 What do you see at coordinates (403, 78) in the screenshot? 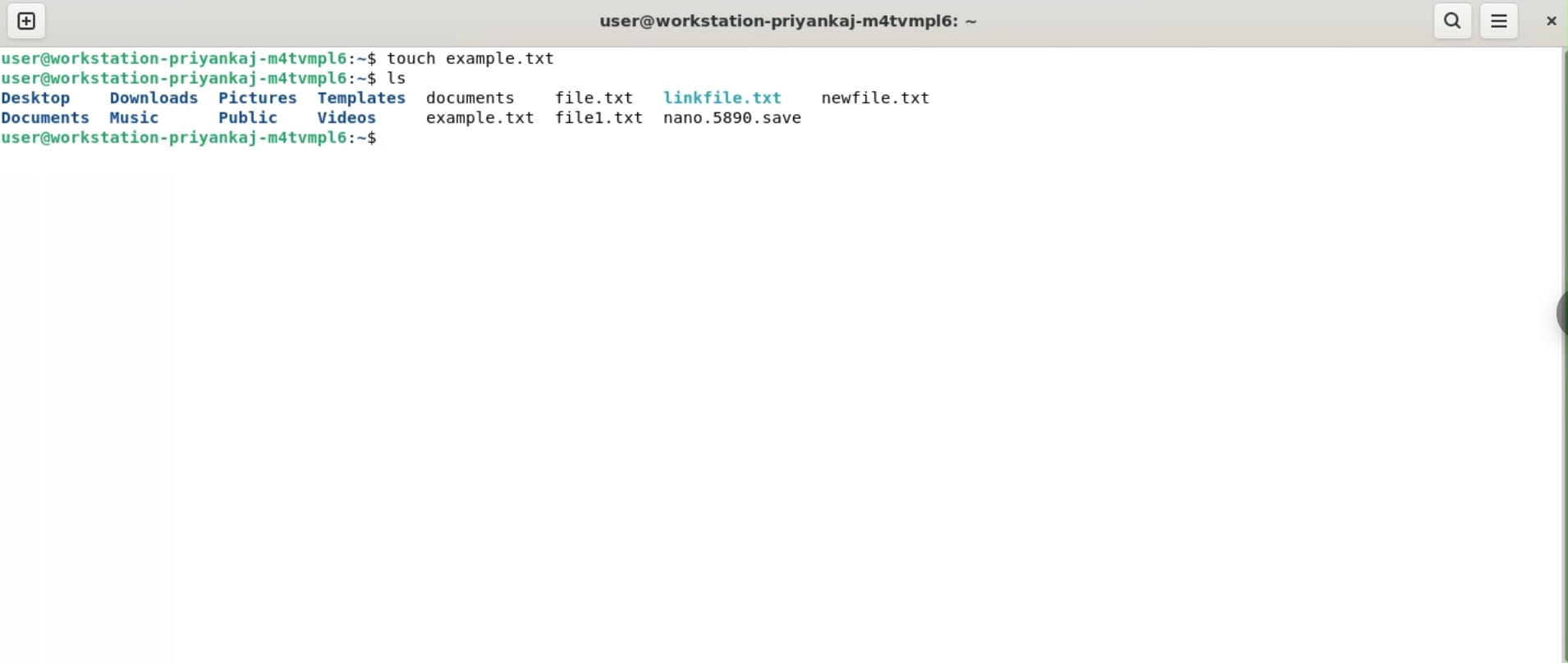
I see `command` at bounding box center [403, 78].